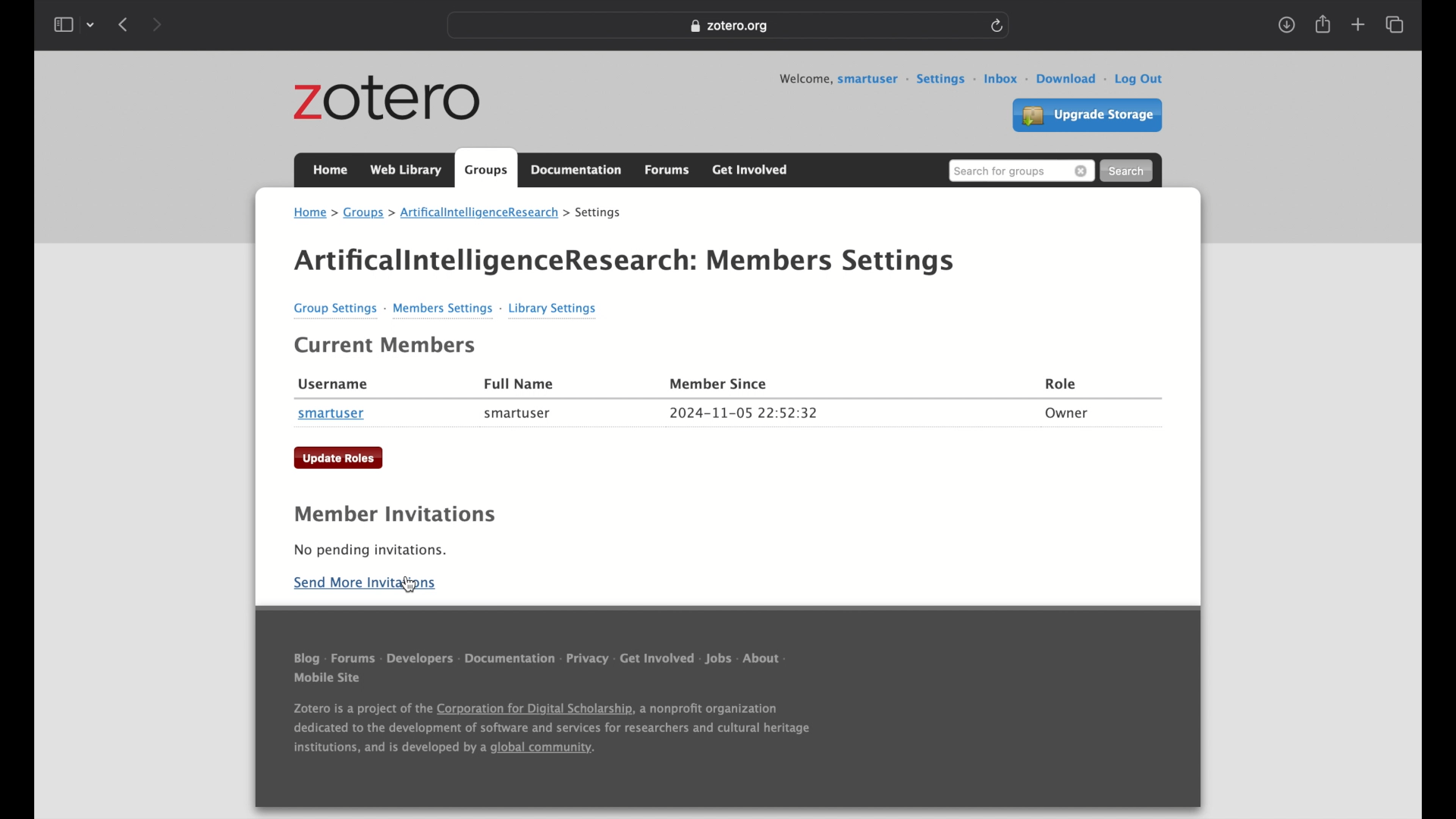  I want to click on documentation, so click(576, 169).